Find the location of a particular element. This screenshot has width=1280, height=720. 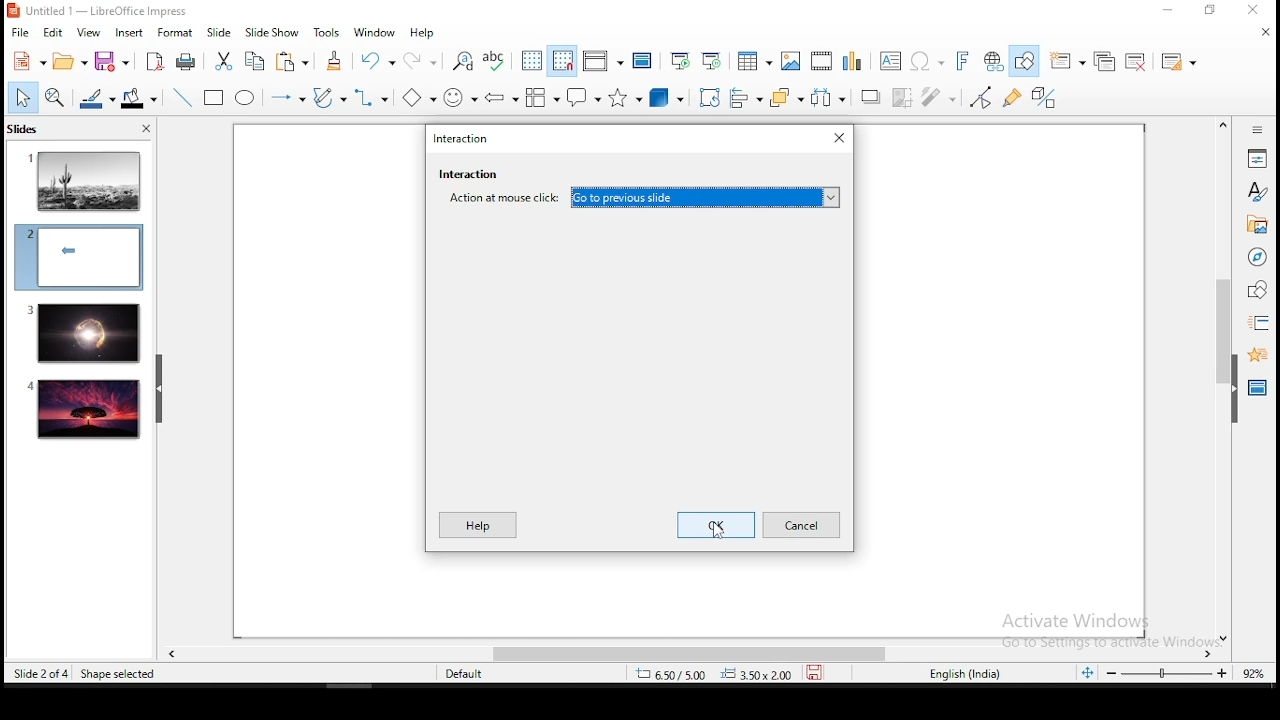

show gluepoint functions is located at coordinates (1017, 97).